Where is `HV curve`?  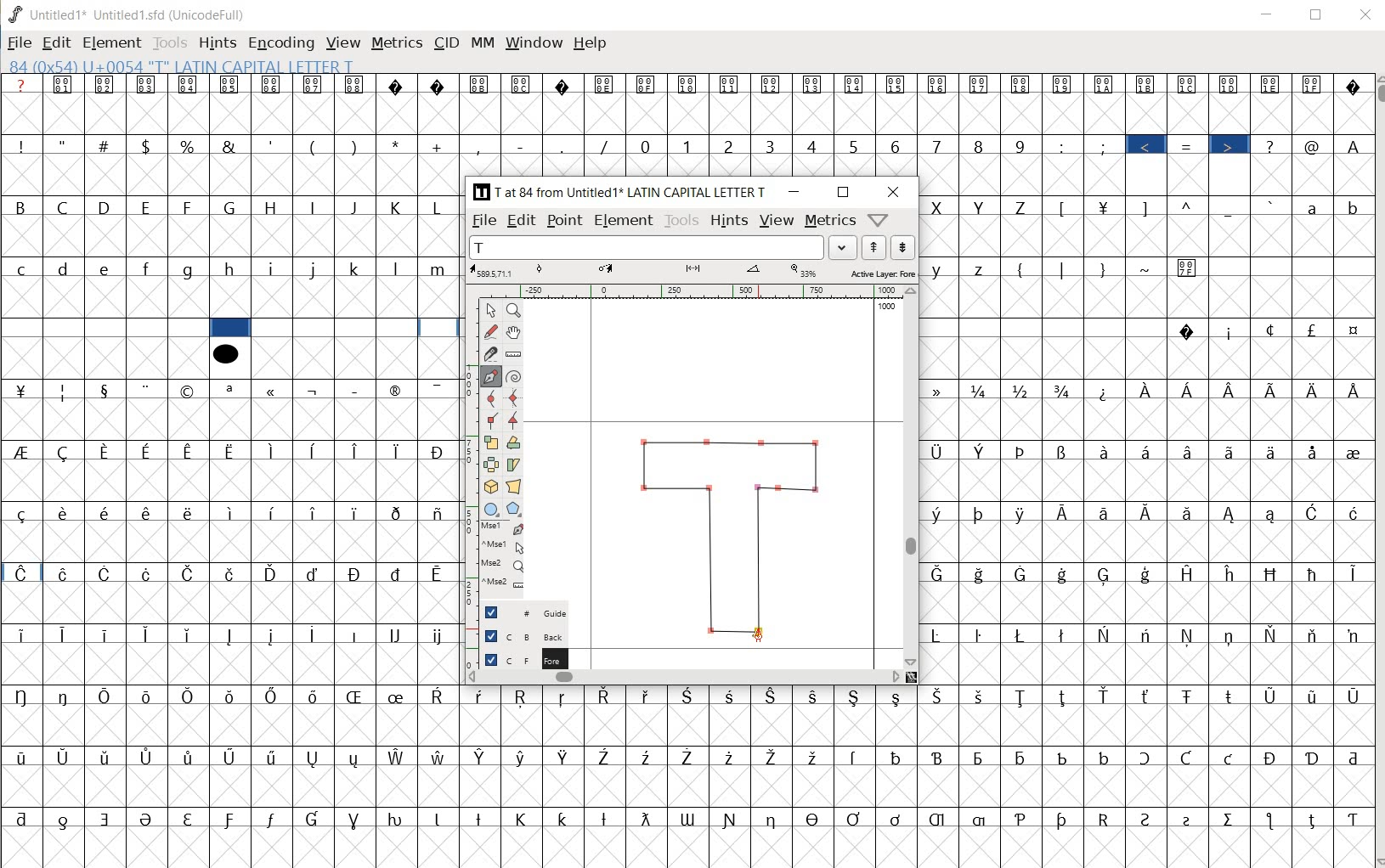
HV curve is located at coordinates (514, 397).